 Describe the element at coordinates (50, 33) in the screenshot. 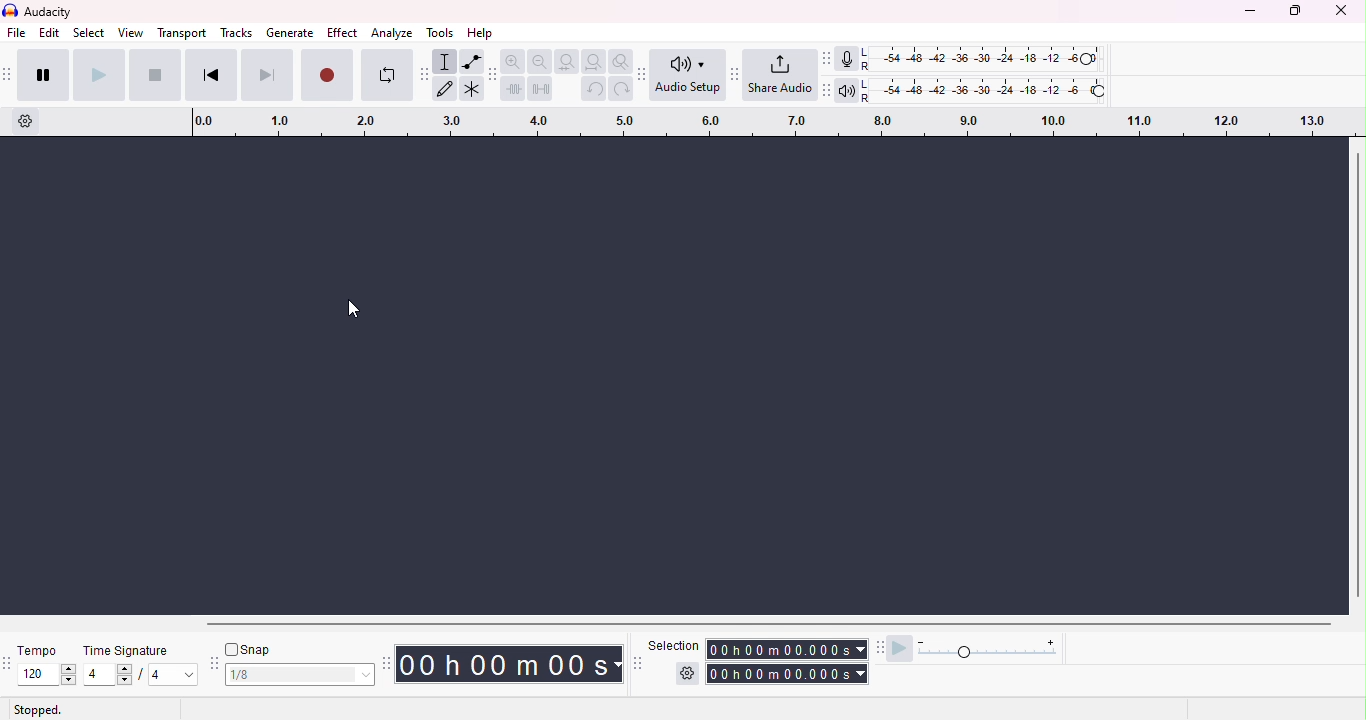

I see `edit` at that location.